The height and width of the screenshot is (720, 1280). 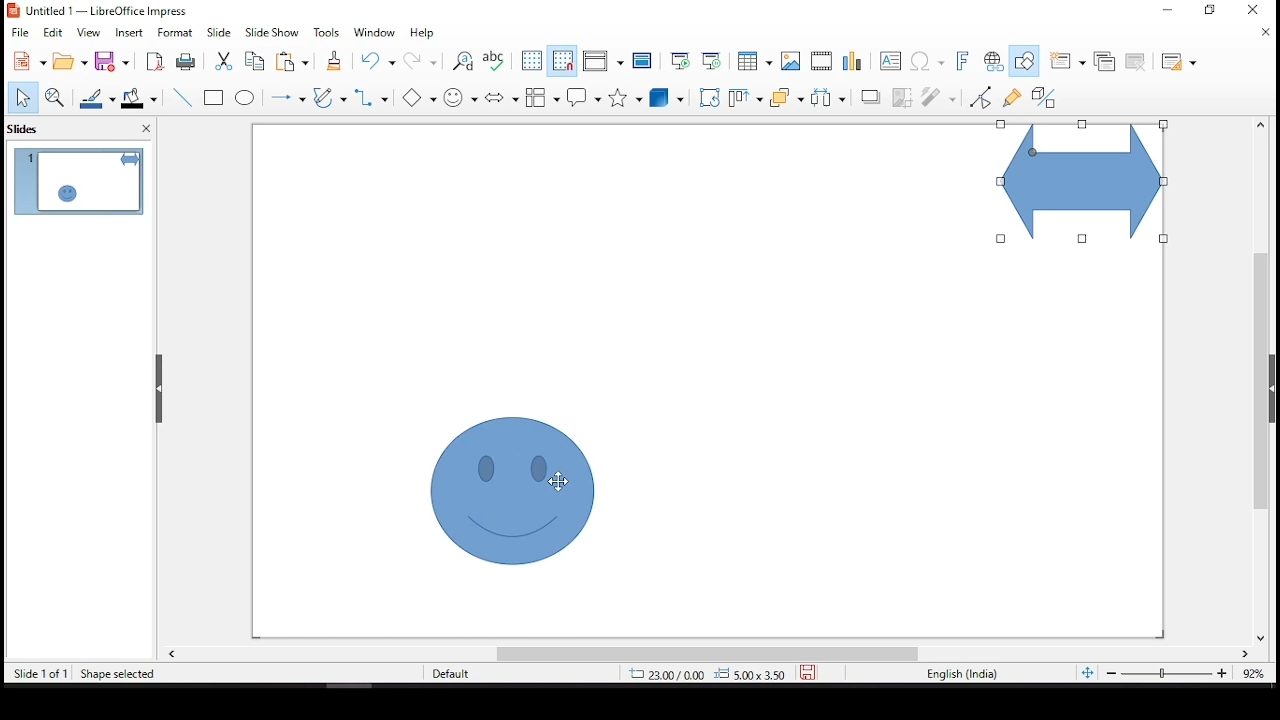 What do you see at coordinates (463, 62) in the screenshot?
I see `find and replace` at bounding box center [463, 62].